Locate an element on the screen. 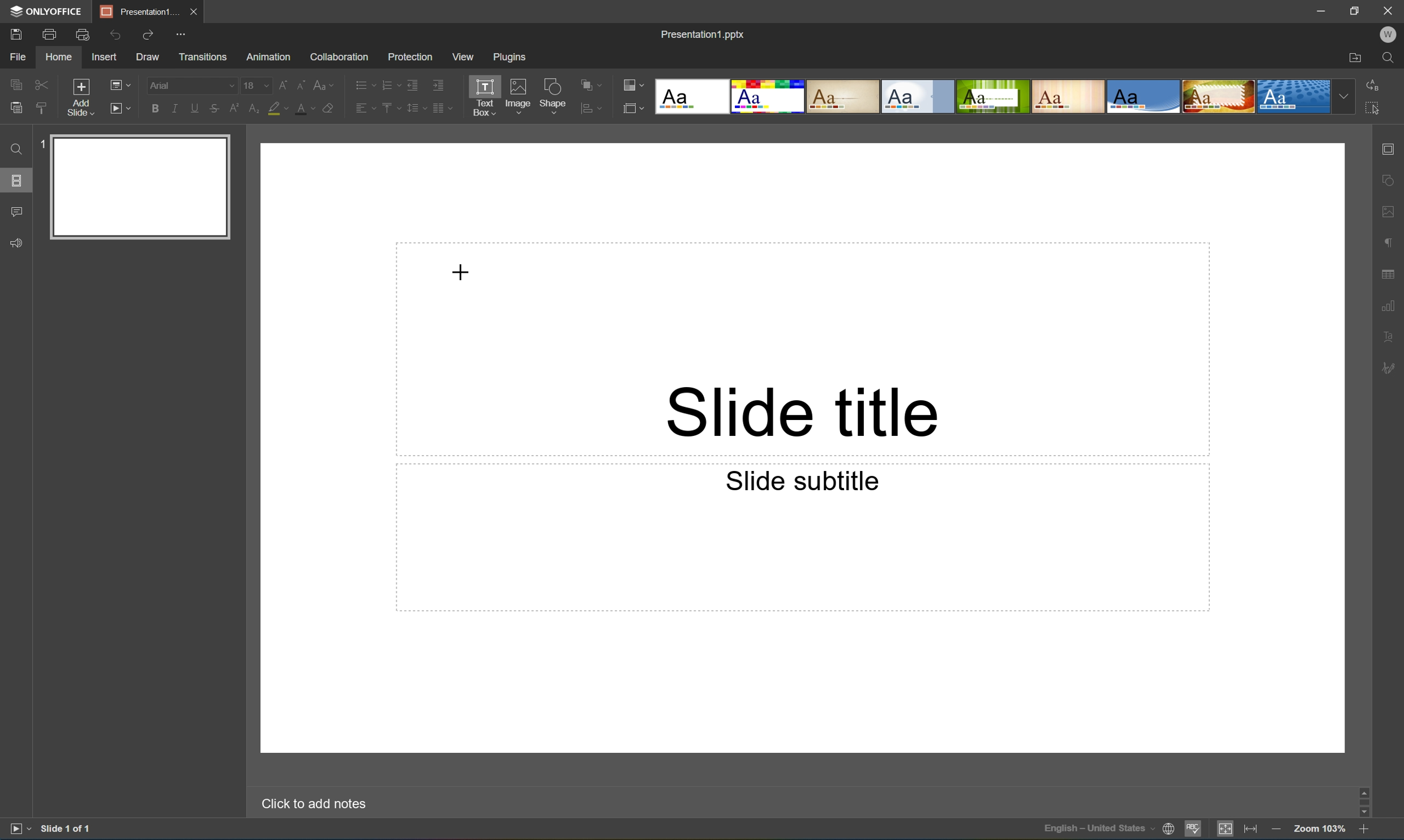  Numbering is located at coordinates (389, 84).